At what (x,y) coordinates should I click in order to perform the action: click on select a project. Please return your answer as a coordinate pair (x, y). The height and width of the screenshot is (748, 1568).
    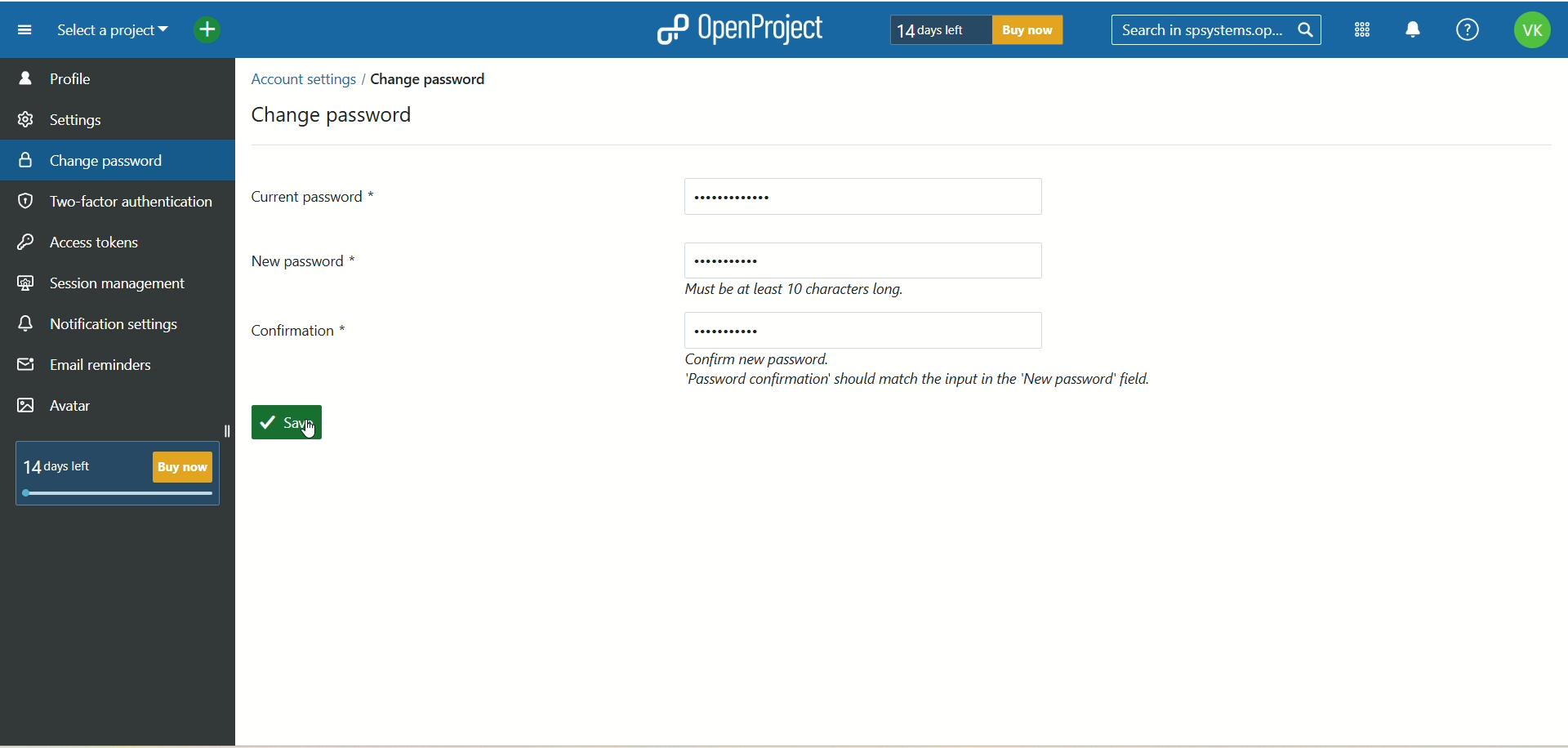
    Looking at the image, I should click on (106, 31).